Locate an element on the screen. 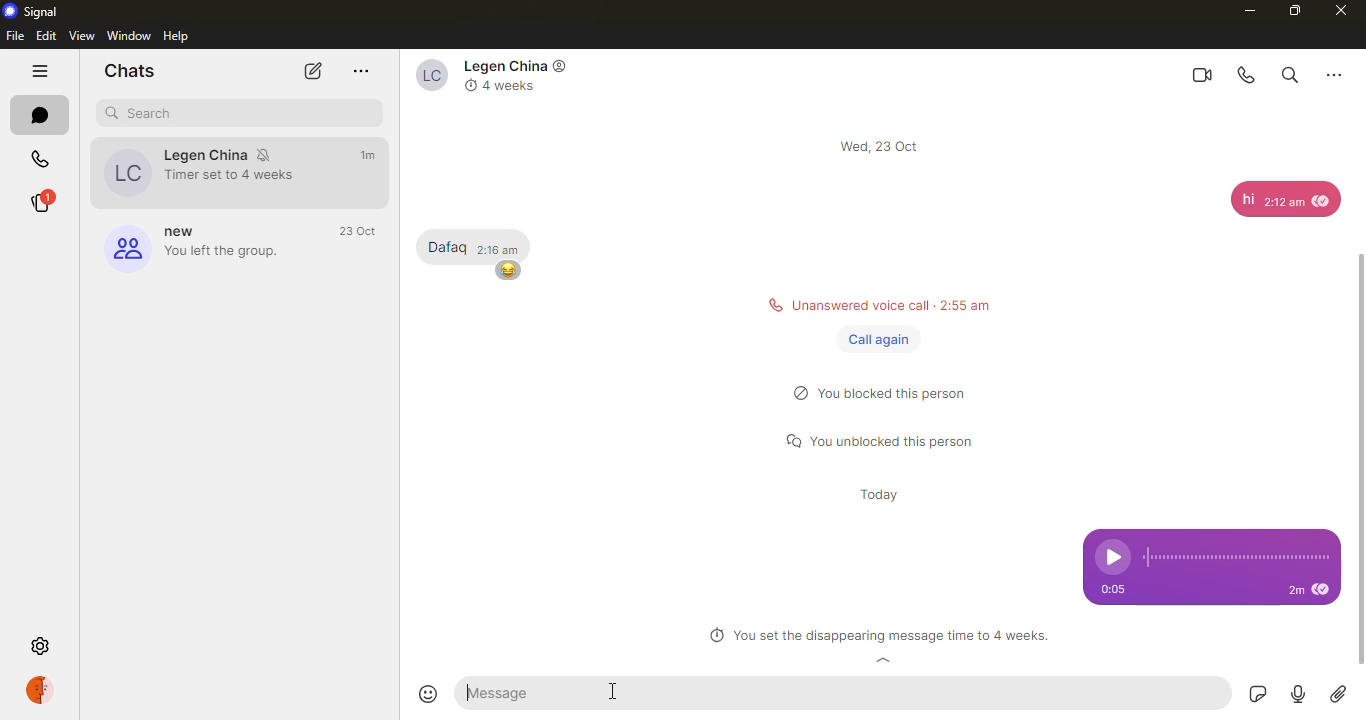 The image size is (1366, 720). attach is located at coordinates (1338, 694).